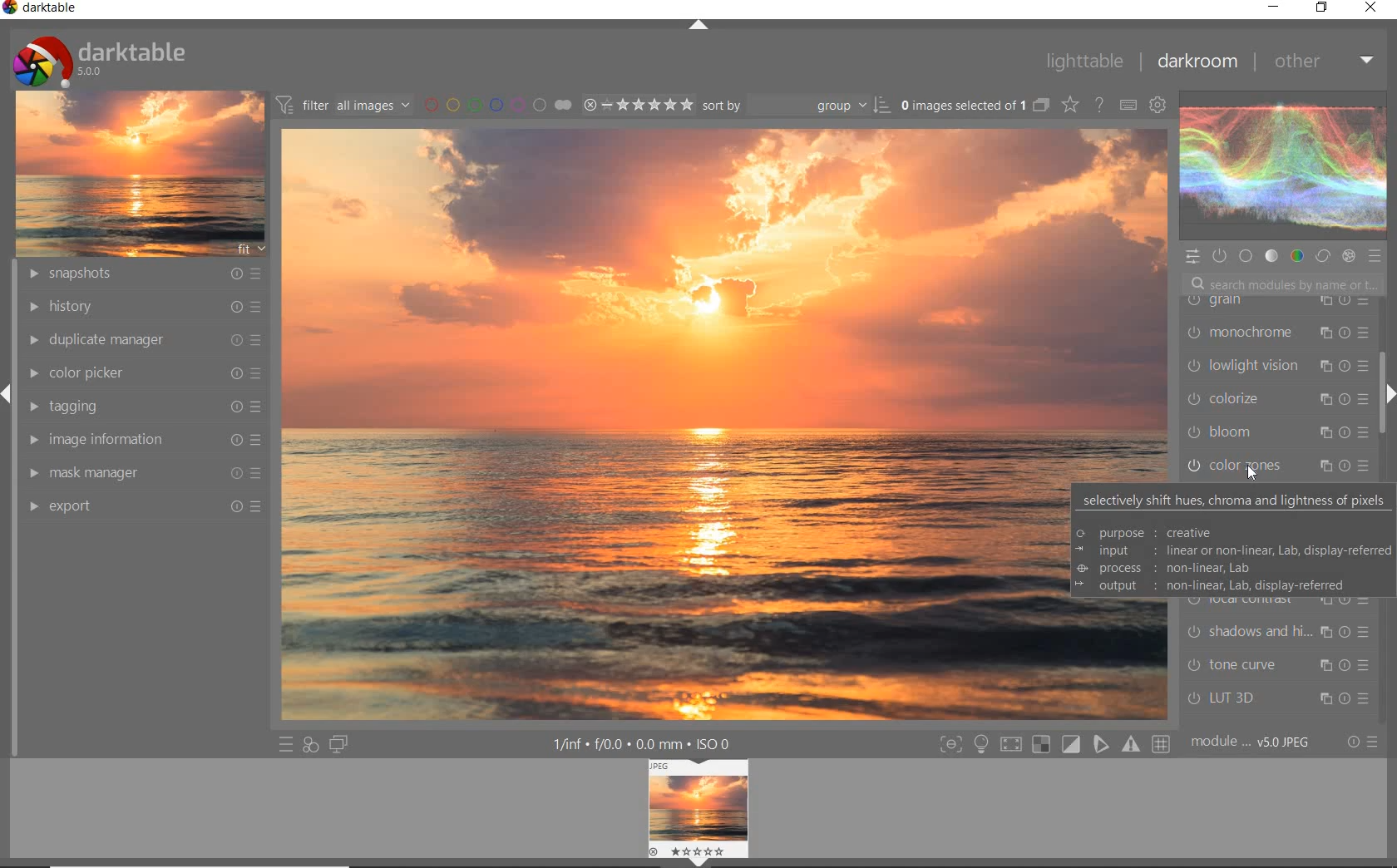  Describe the element at coordinates (1323, 257) in the screenshot. I see `CORRECT` at that location.